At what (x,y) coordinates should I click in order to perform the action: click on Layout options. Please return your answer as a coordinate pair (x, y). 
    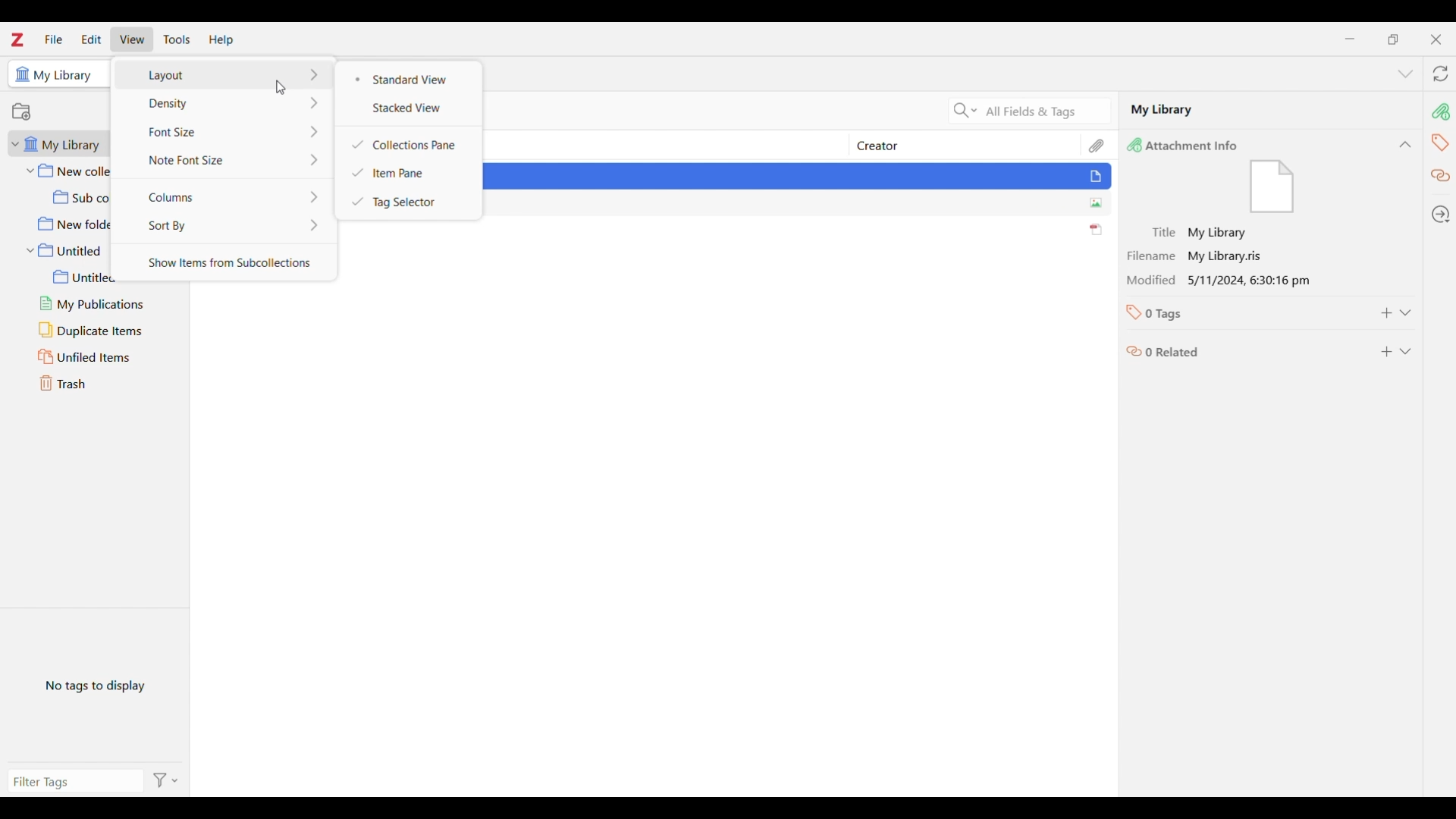
    Looking at the image, I should click on (223, 75).